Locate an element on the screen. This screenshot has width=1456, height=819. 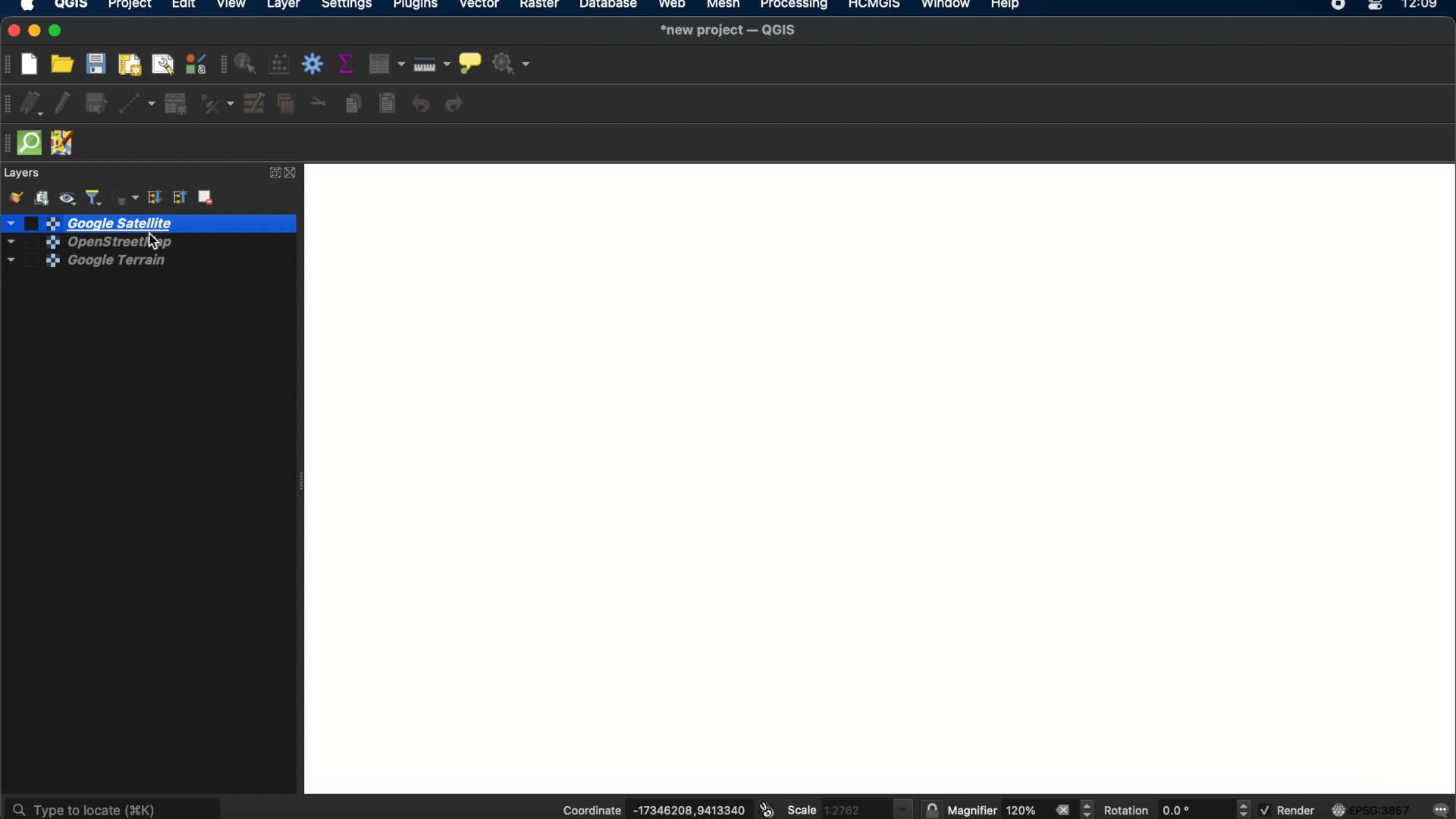
12.09 is located at coordinates (1426, 6).